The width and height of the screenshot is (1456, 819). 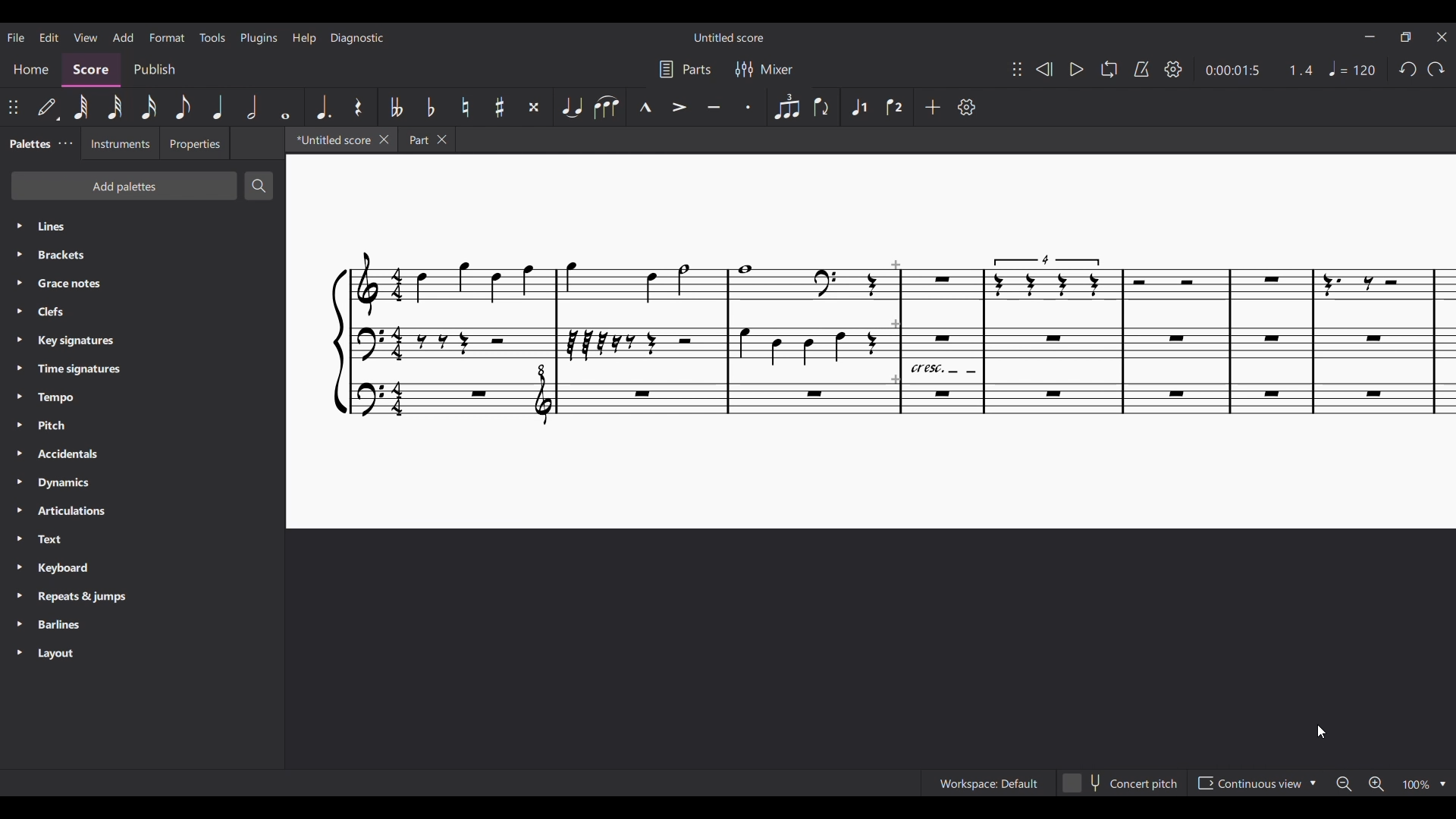 What do you see at coordinates (1321, 732) in the screenshot?
I see `Cursor position unchanged` at bounding box center [1321, 732].